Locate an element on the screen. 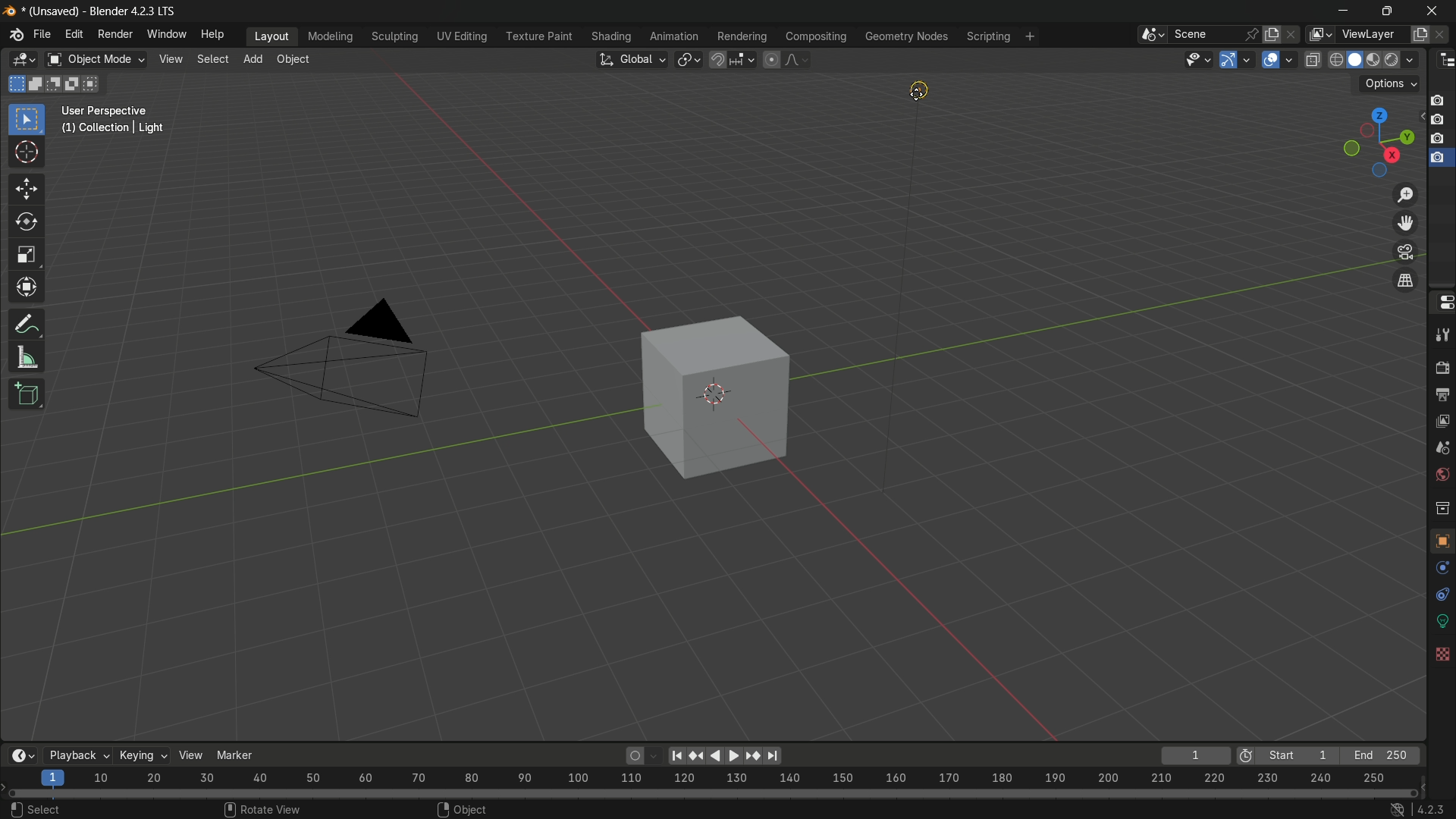 This screenshot has height=819, width=1456. view layer is located at coordinates (1442, 420).